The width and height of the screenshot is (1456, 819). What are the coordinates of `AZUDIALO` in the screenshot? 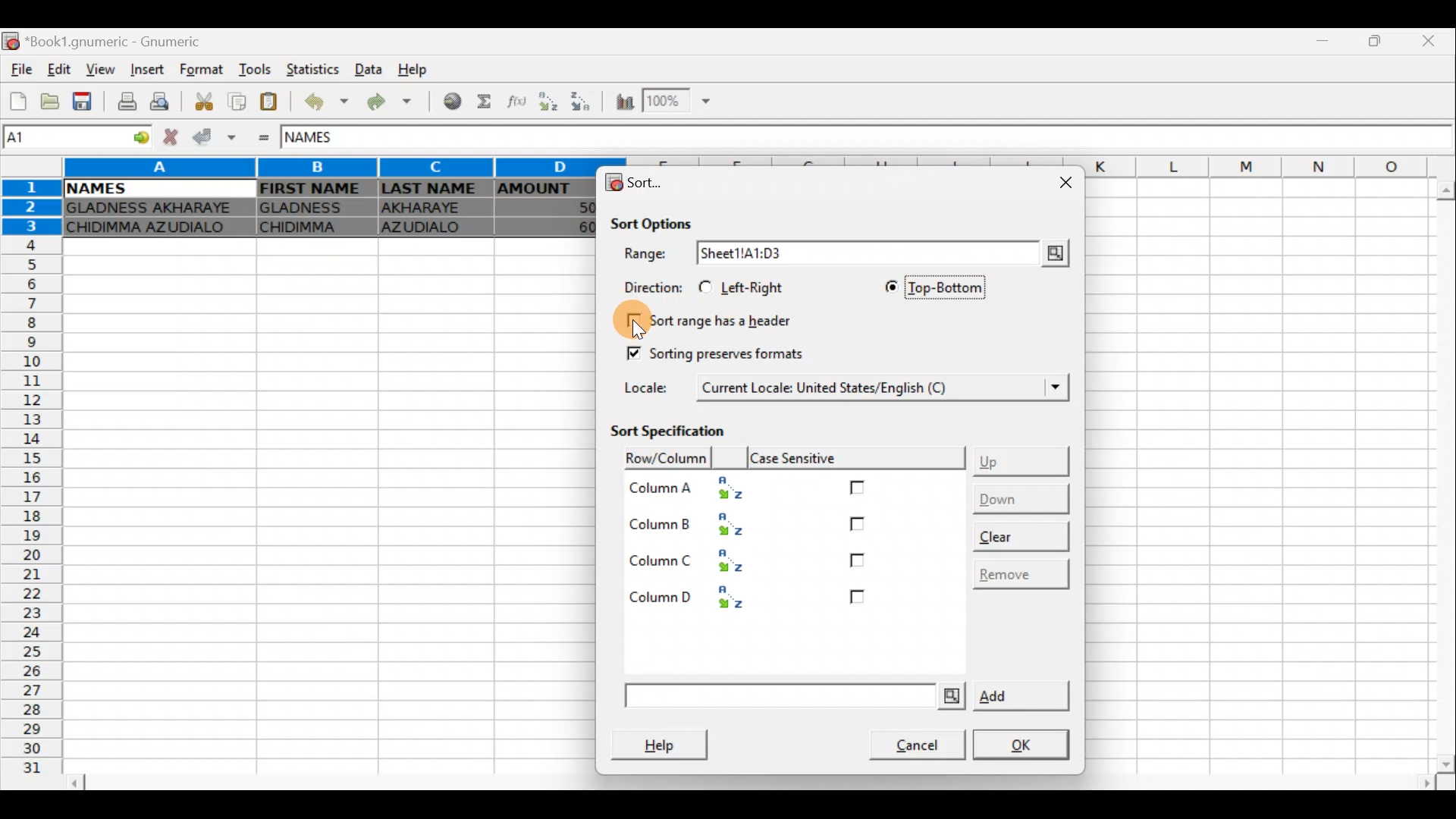 It's located at (429, 229).